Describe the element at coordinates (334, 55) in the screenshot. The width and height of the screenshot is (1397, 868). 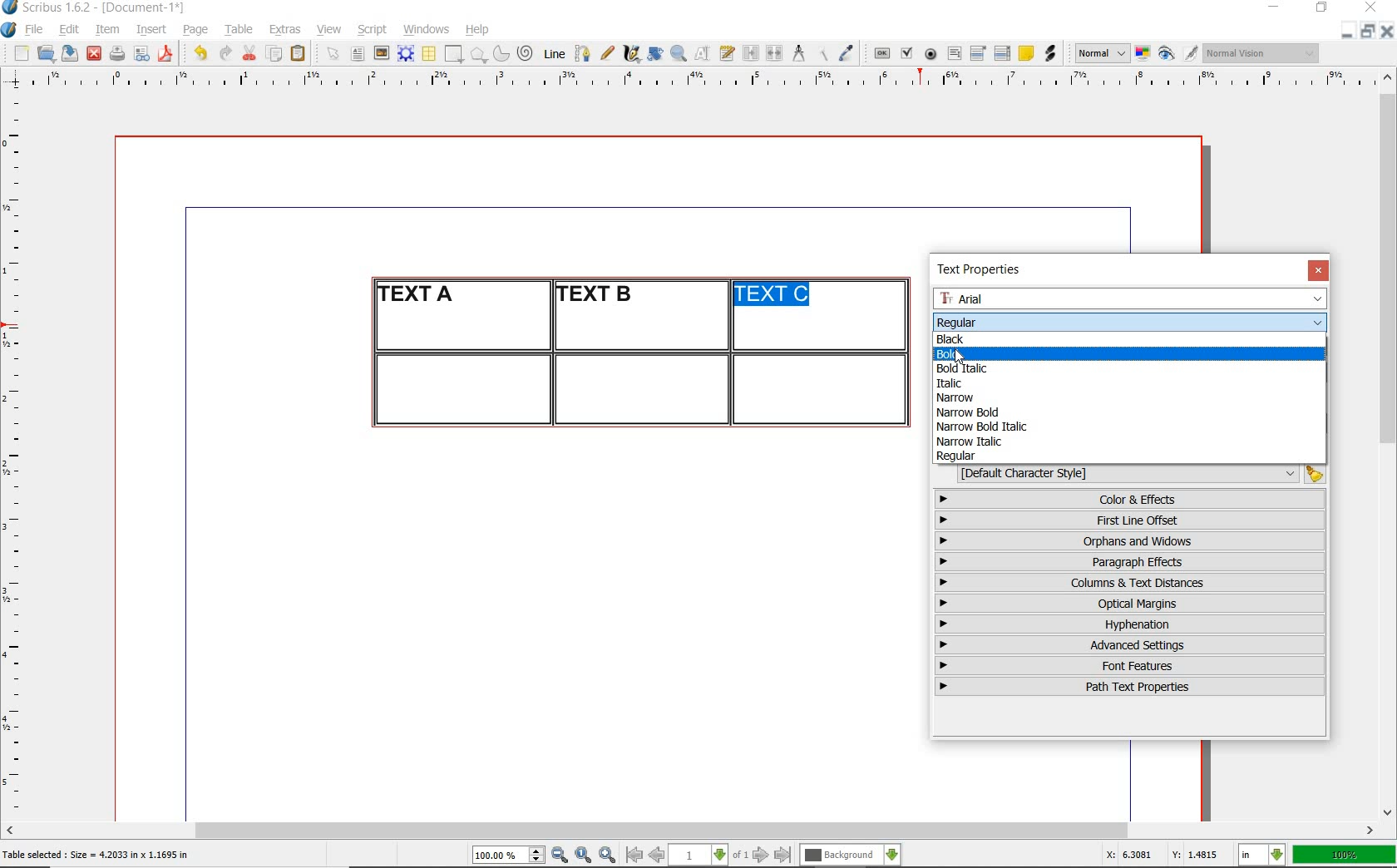
I see `select` at that location.